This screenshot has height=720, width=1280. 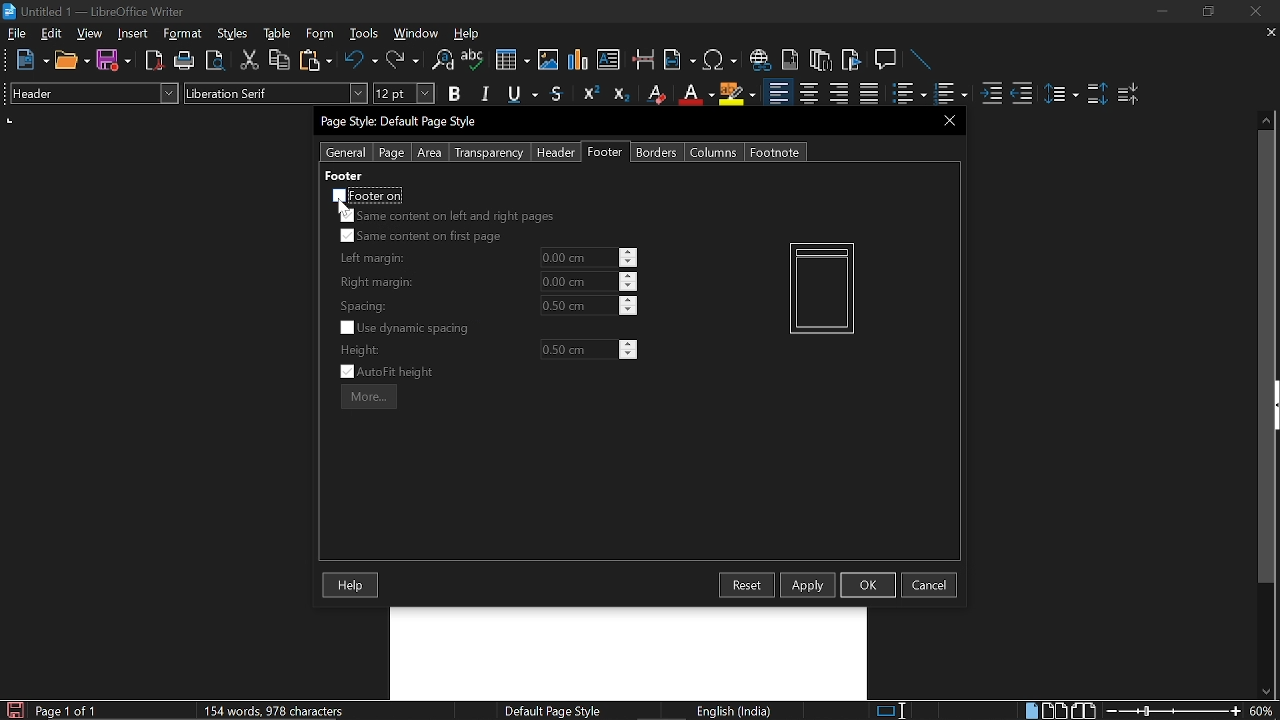 I want to click on Ok, so click(x=868, y=584).